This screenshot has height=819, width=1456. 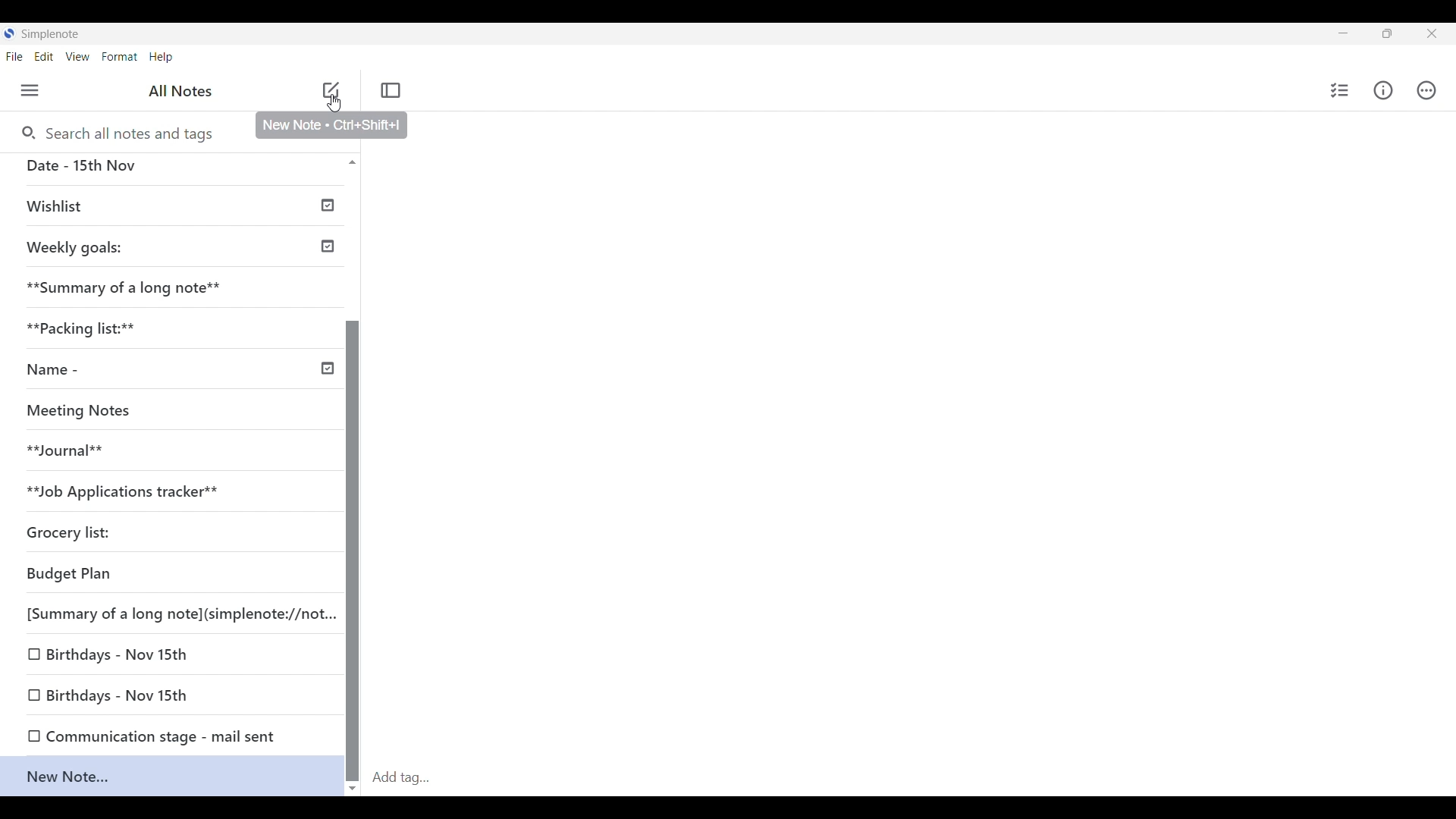 I want to click on Software logo, so click(x=9, y=33).